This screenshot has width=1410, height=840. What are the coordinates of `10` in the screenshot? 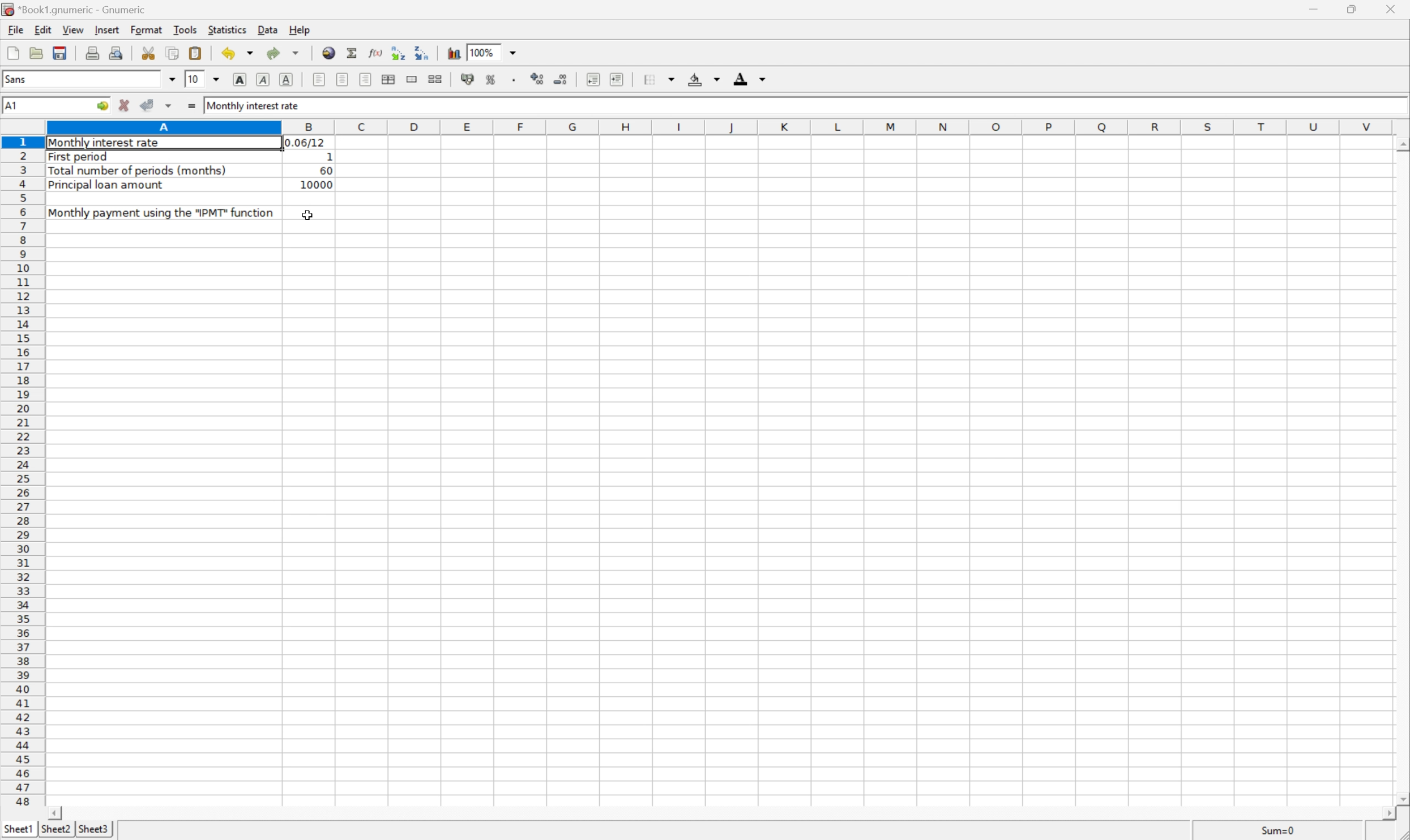 It's located at (193, 79).